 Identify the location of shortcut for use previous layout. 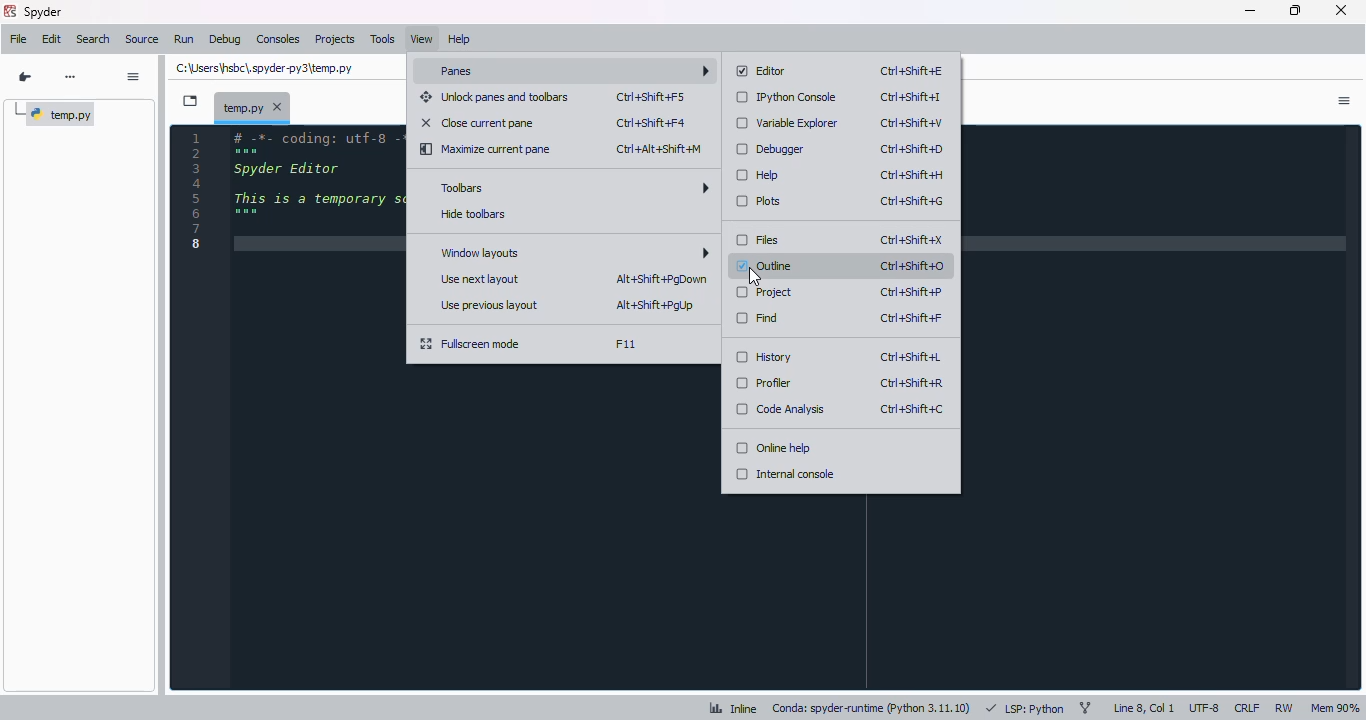
(656, 306).